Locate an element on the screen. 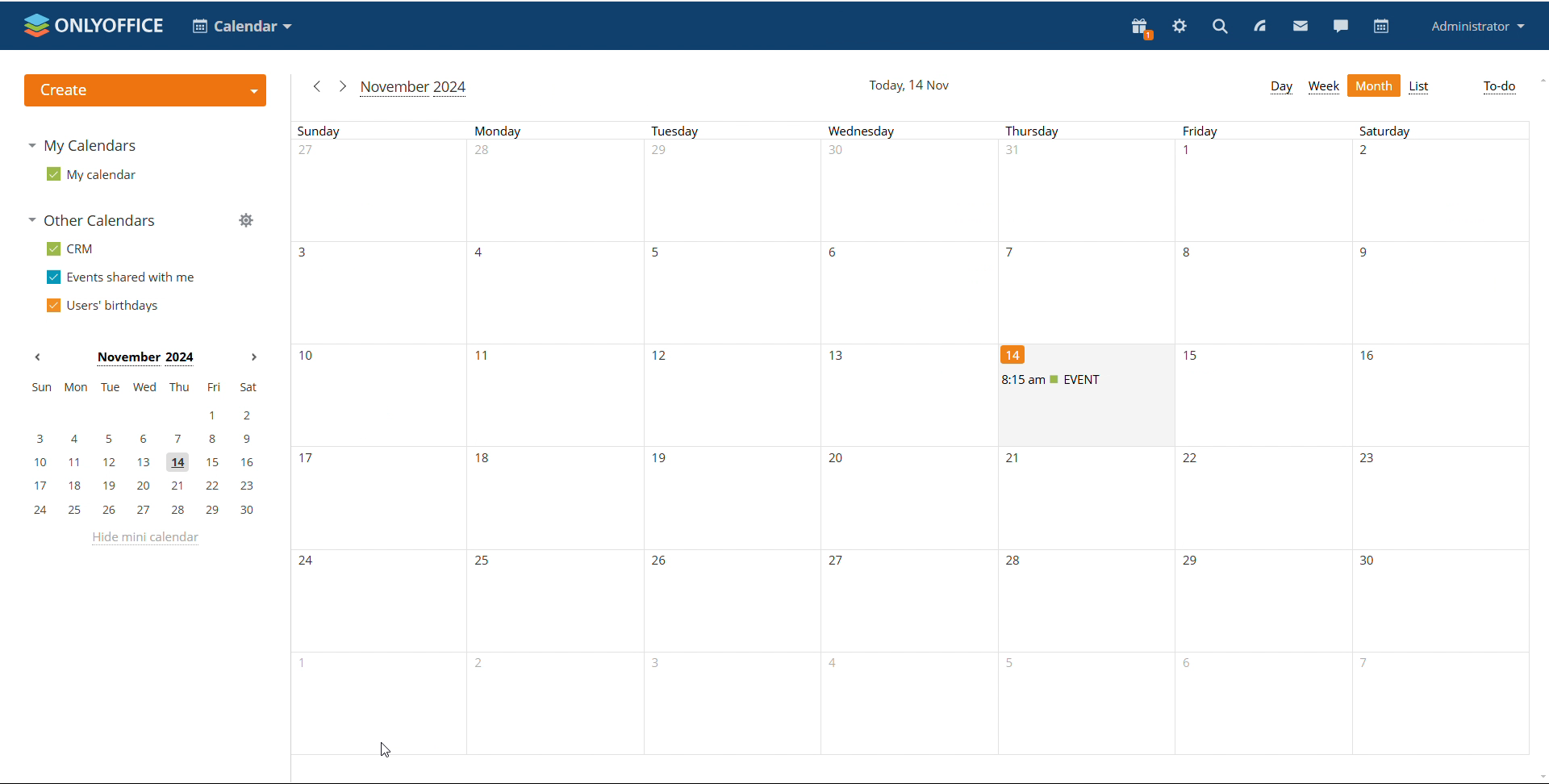  scroll down is located at coordinates (1539, 778).